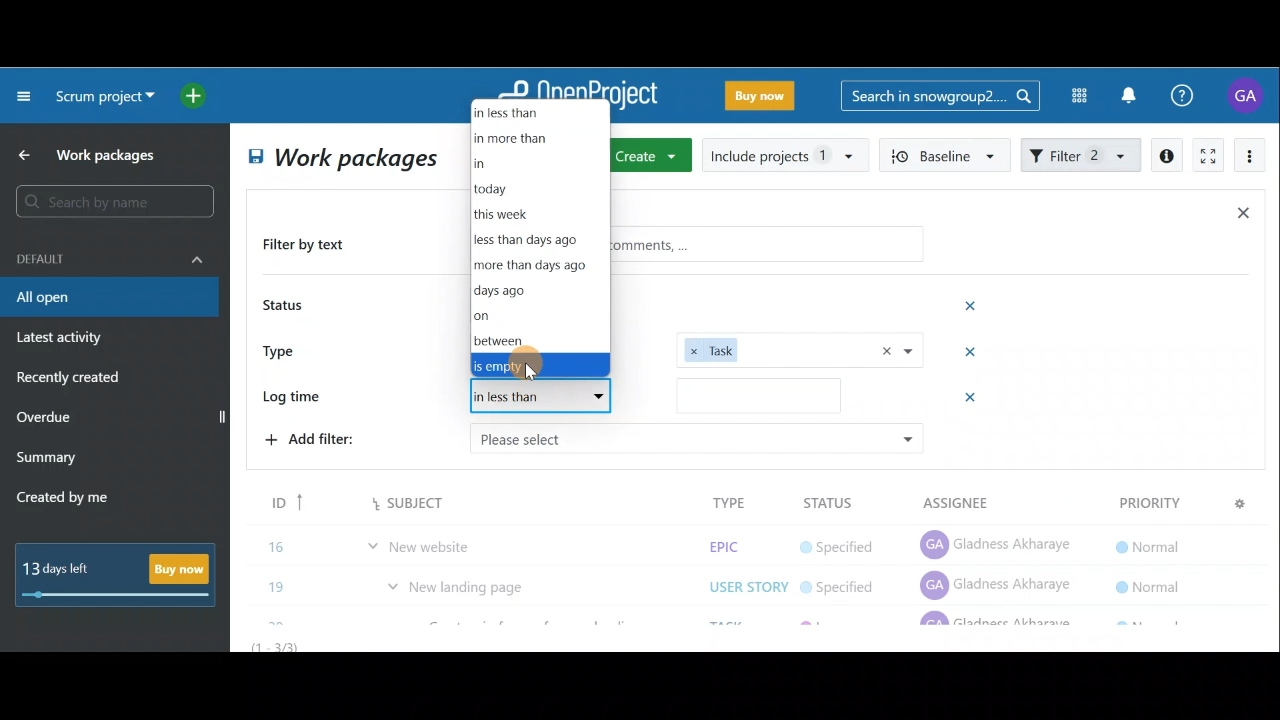 This screenshot has height=720, width=1280. What do you see at coordinates (498, 190) in the screenshot?
I see `today` at bounding box center [498, 190].